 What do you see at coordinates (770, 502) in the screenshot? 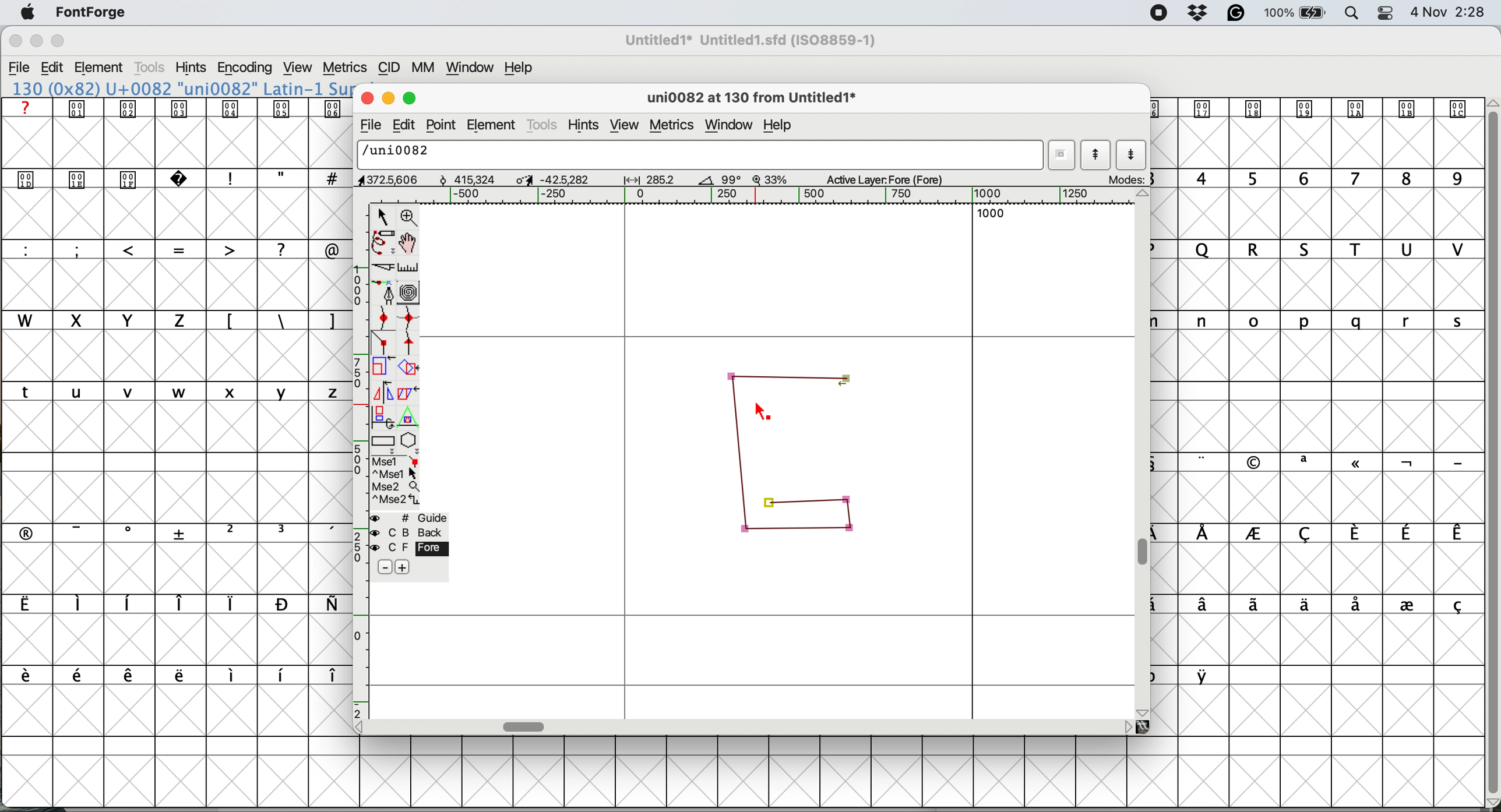
I see `corner point` at bounding box center [770, 502].